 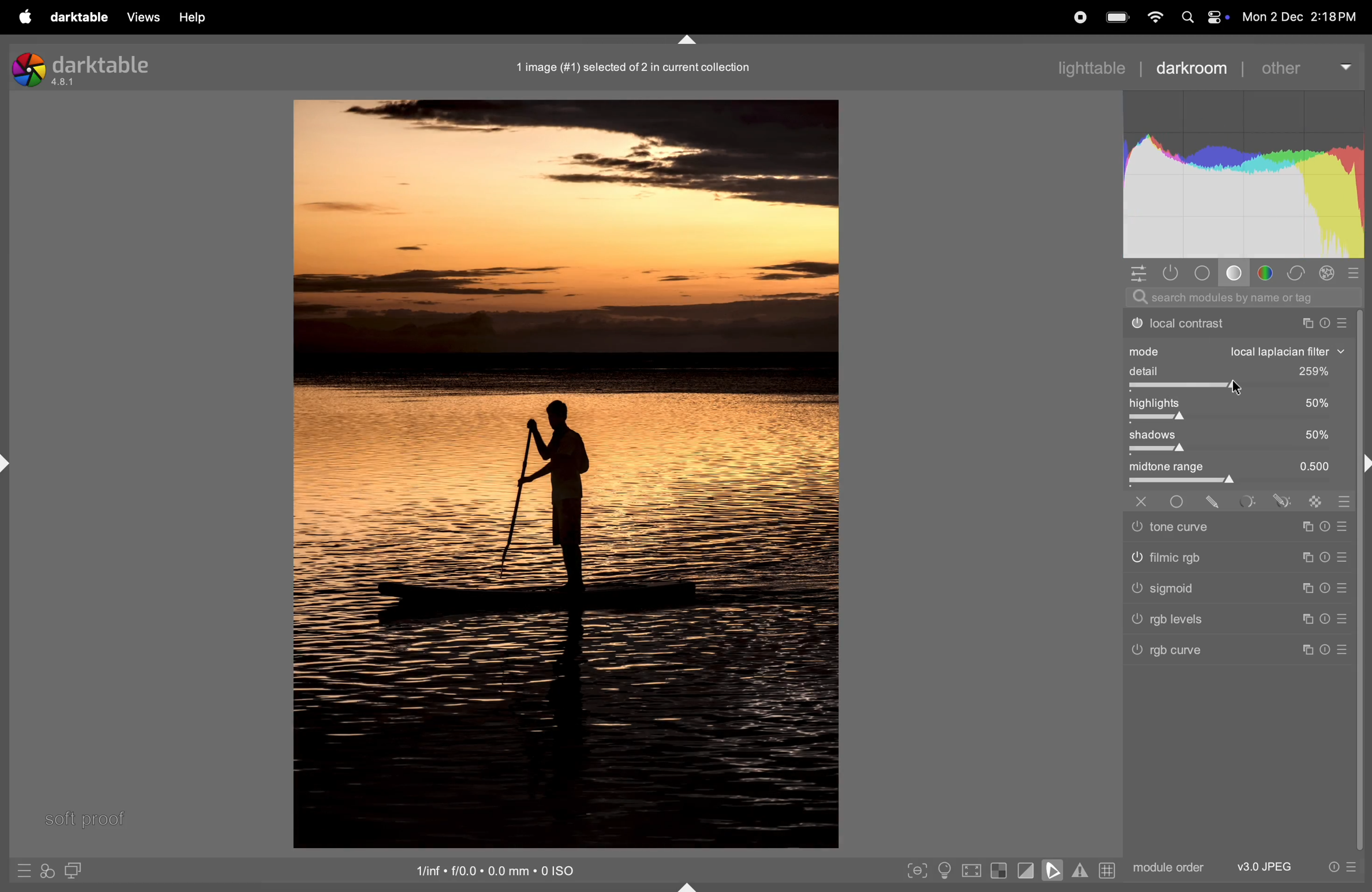 What do you see at coordinates (1235, 451) in the screenshot?
I see `toggle bar` at bounding box center [1235, 451].